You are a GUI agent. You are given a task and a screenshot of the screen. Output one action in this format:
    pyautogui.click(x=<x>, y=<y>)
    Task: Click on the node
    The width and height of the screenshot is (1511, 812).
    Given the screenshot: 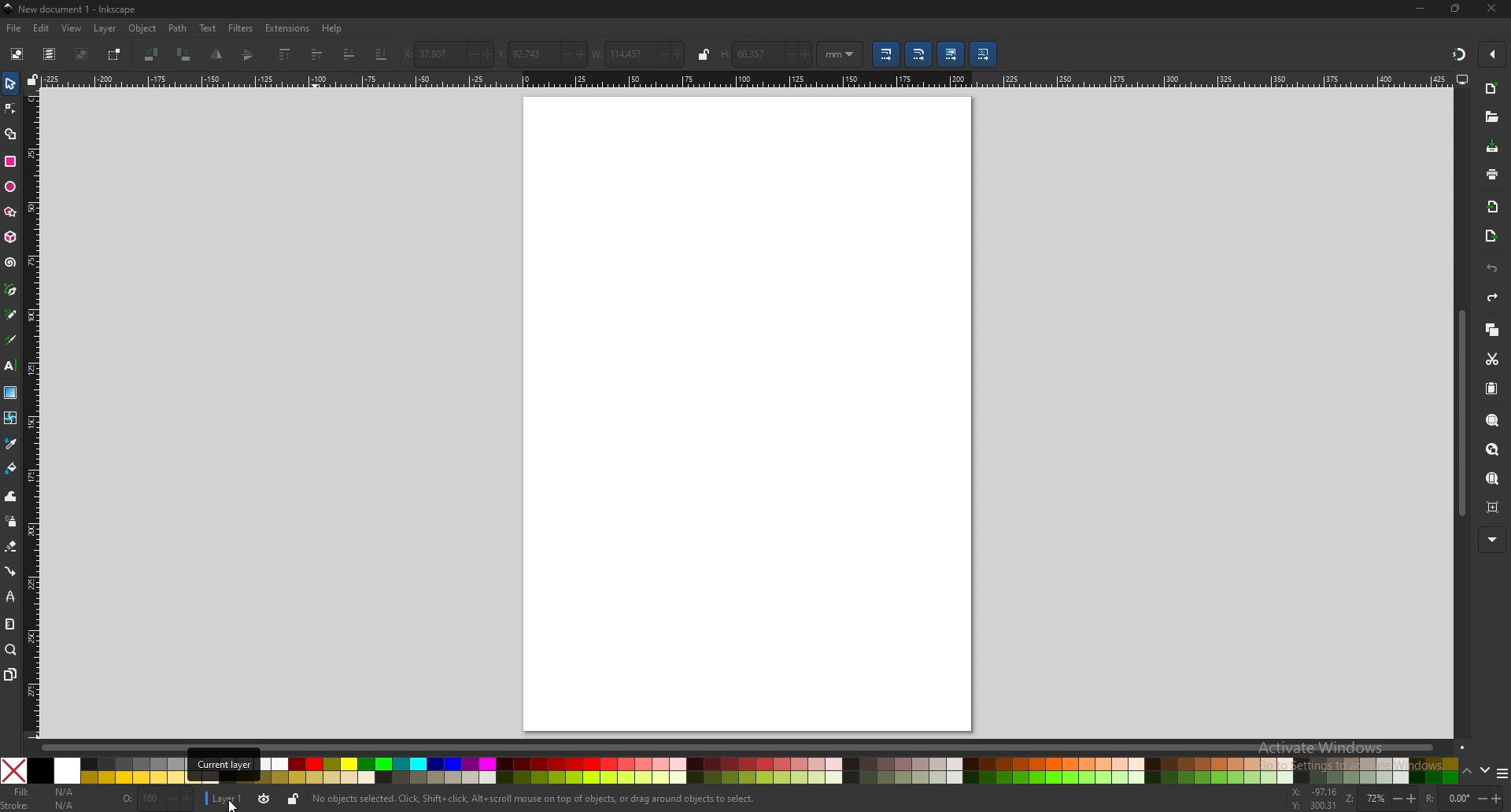 What is the action you would take?
    pyautogui.click(x=11, y=109)
    